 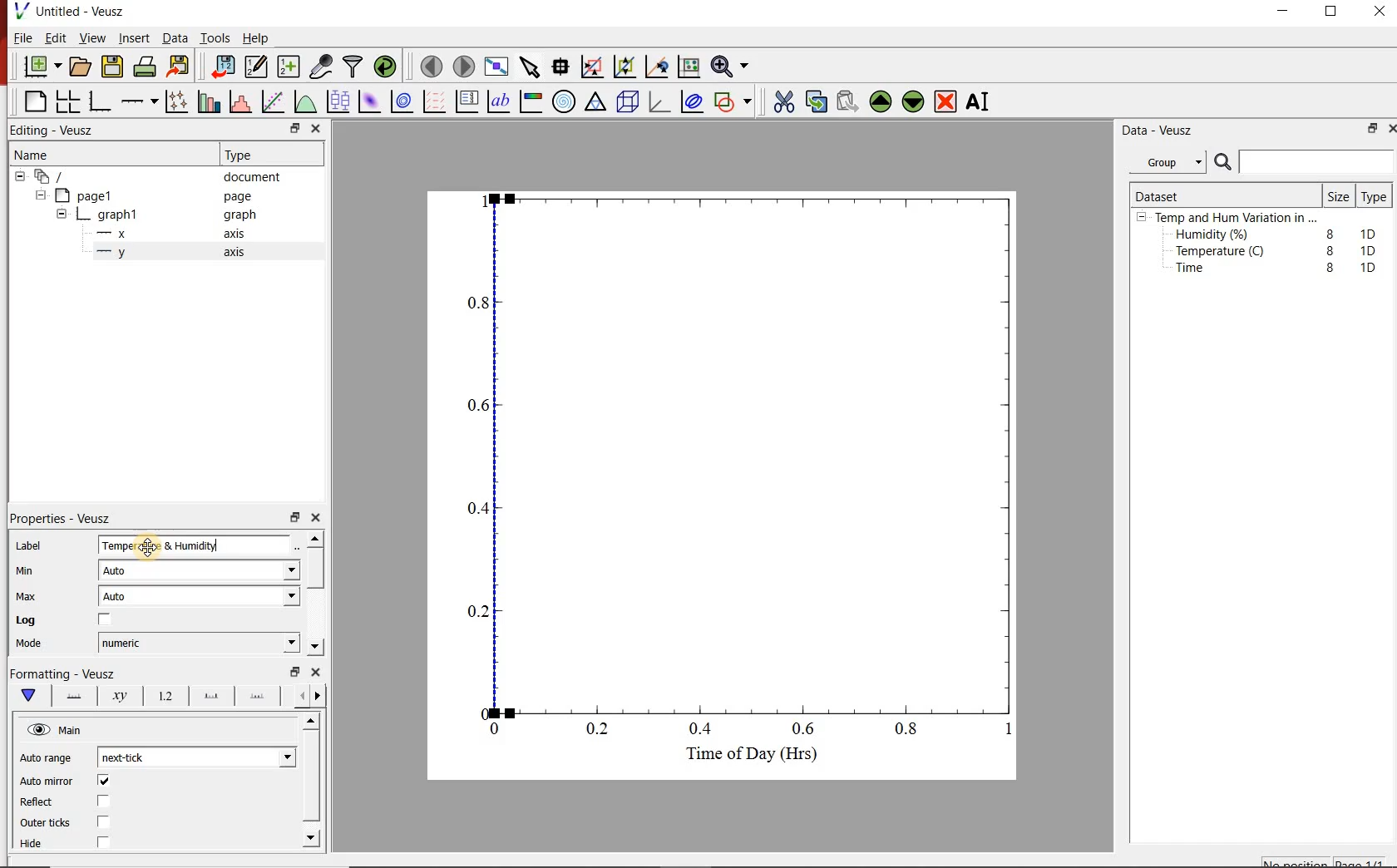 I want to click on Main, so click(x=82, y=732).